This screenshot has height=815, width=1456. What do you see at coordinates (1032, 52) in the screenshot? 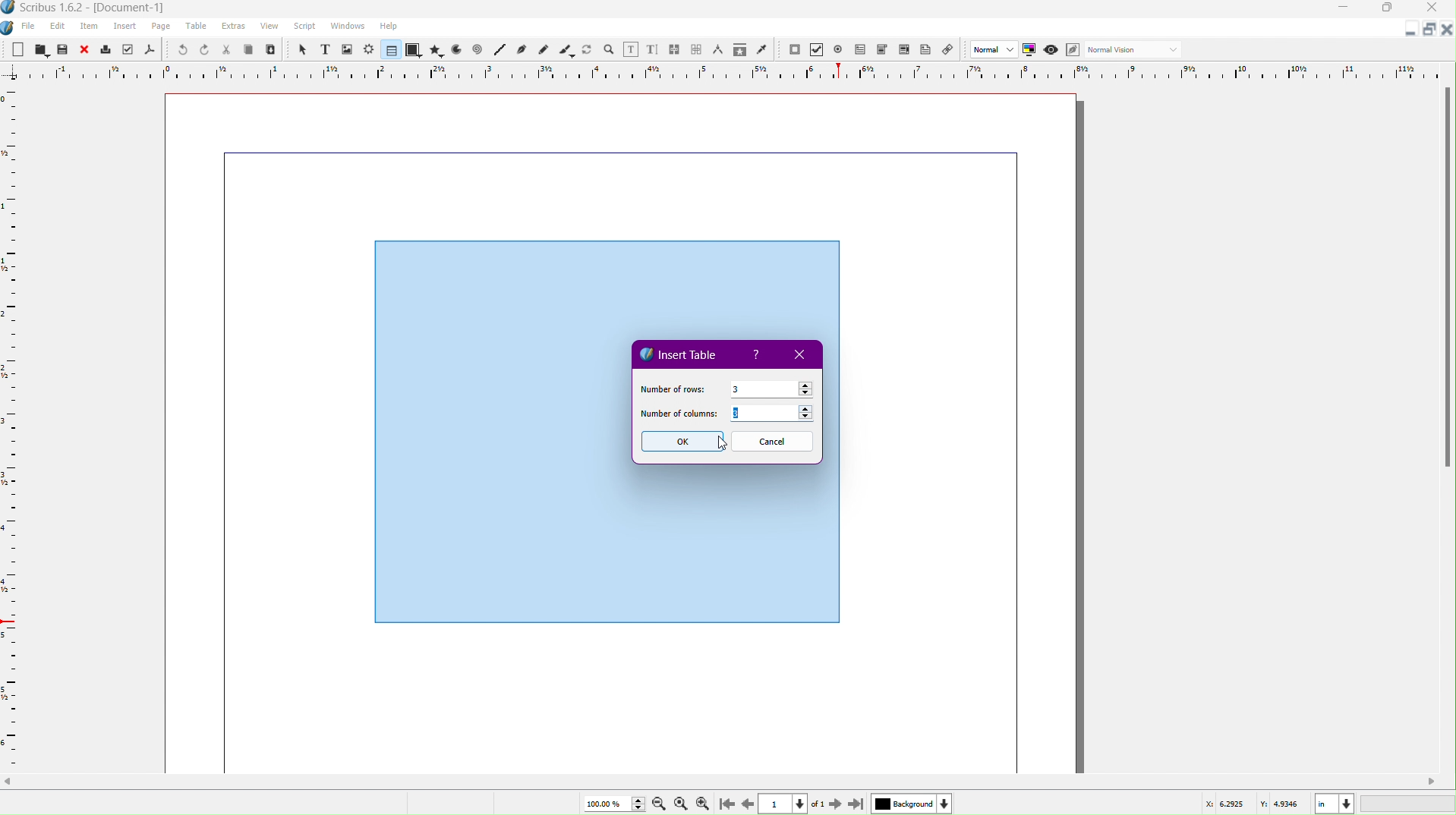
I see `Toggle Color Management System` at bounding box center [1032, 52].